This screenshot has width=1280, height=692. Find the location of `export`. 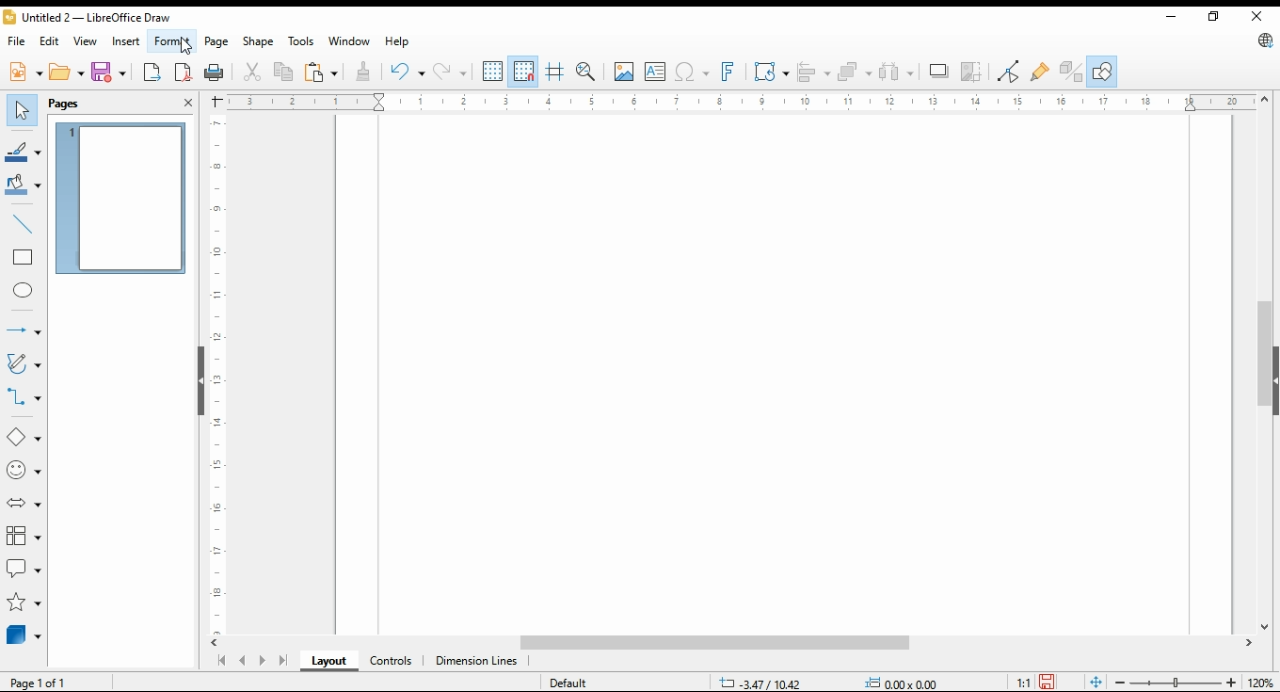

export is located at coordinates (153, 71).